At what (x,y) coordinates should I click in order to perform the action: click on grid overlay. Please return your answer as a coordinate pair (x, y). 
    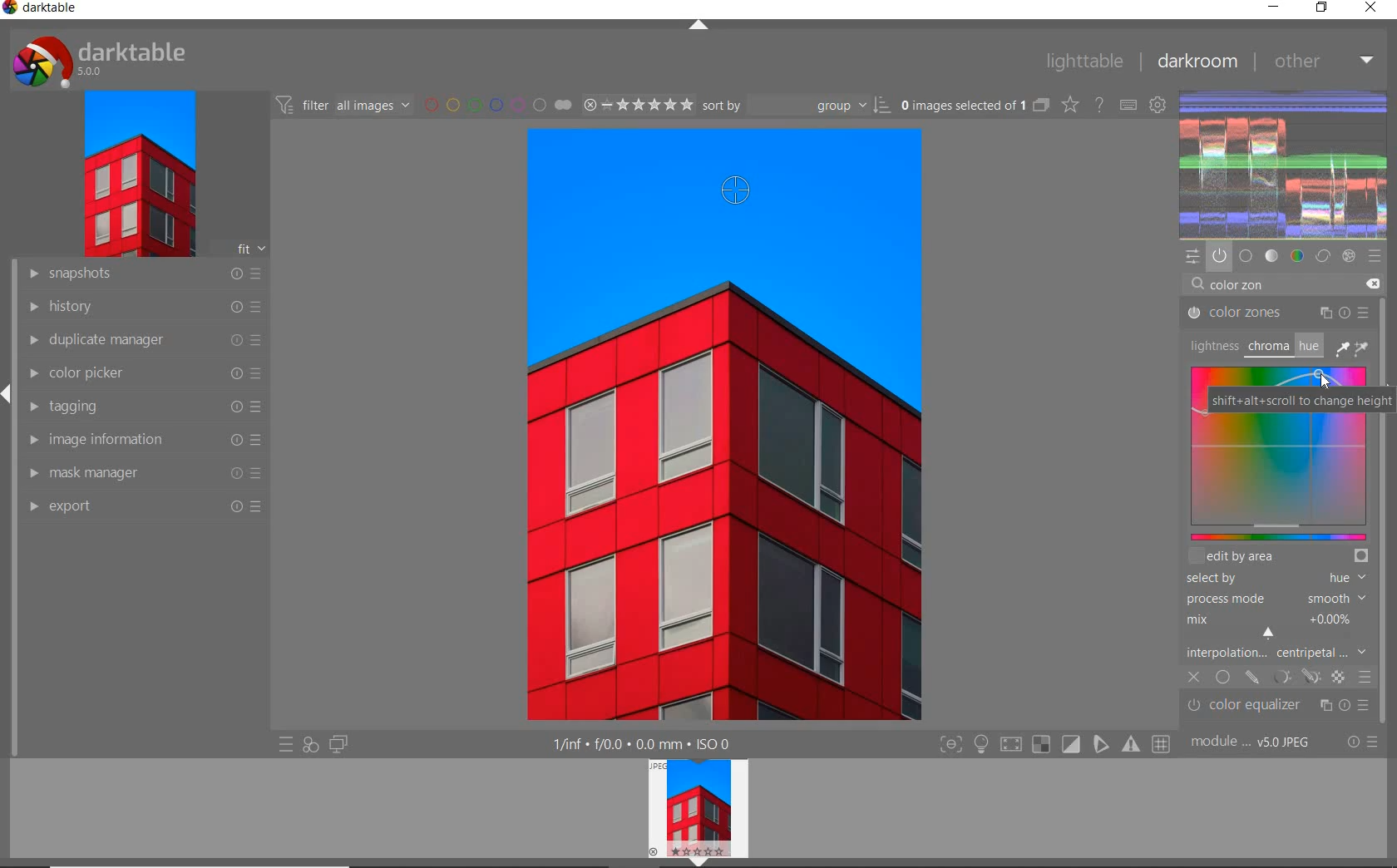
    Looking at the image, I should click on (1162, 742).